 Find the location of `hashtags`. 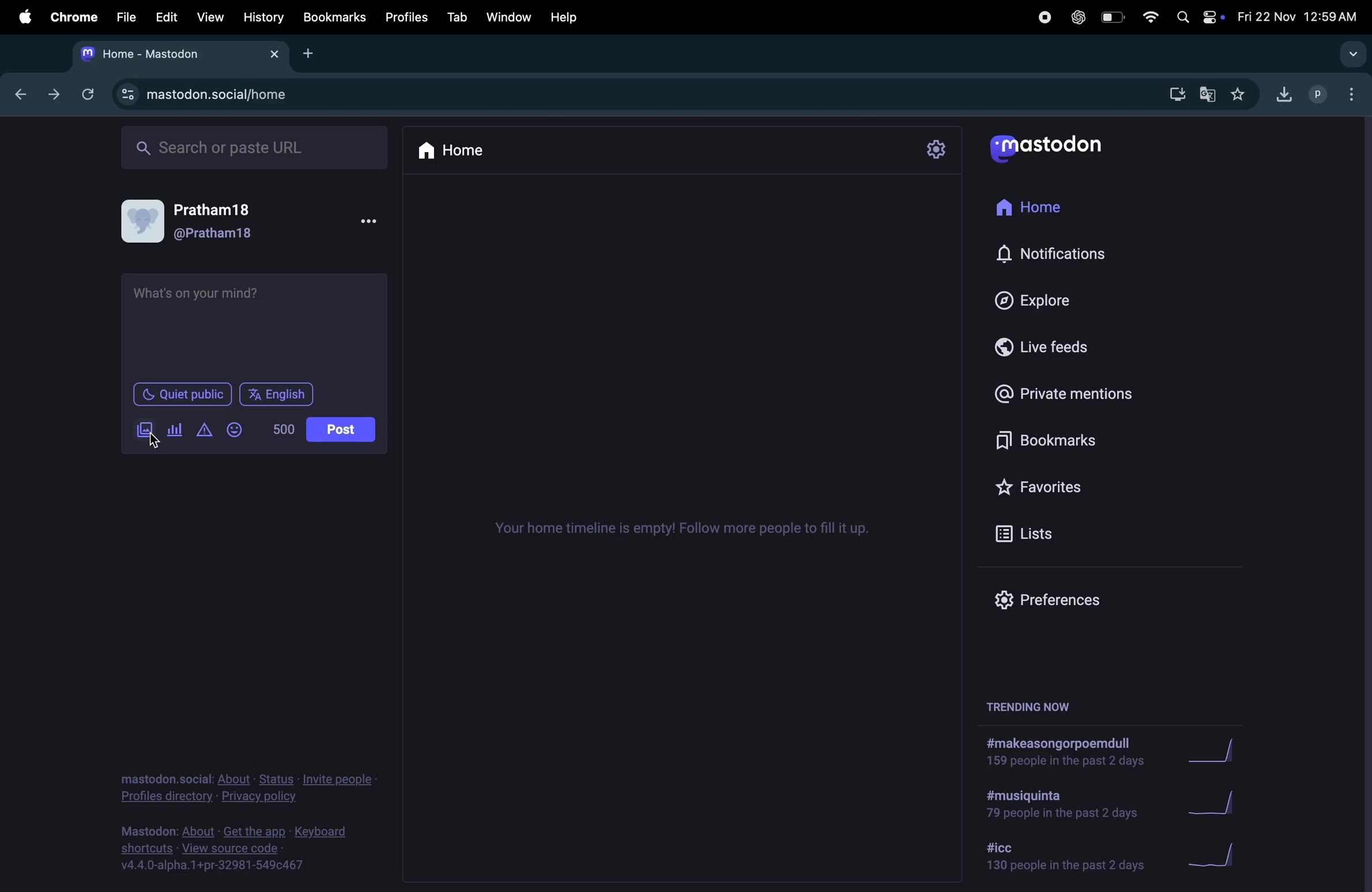

hashtags is located at coordinates (1064, 753).